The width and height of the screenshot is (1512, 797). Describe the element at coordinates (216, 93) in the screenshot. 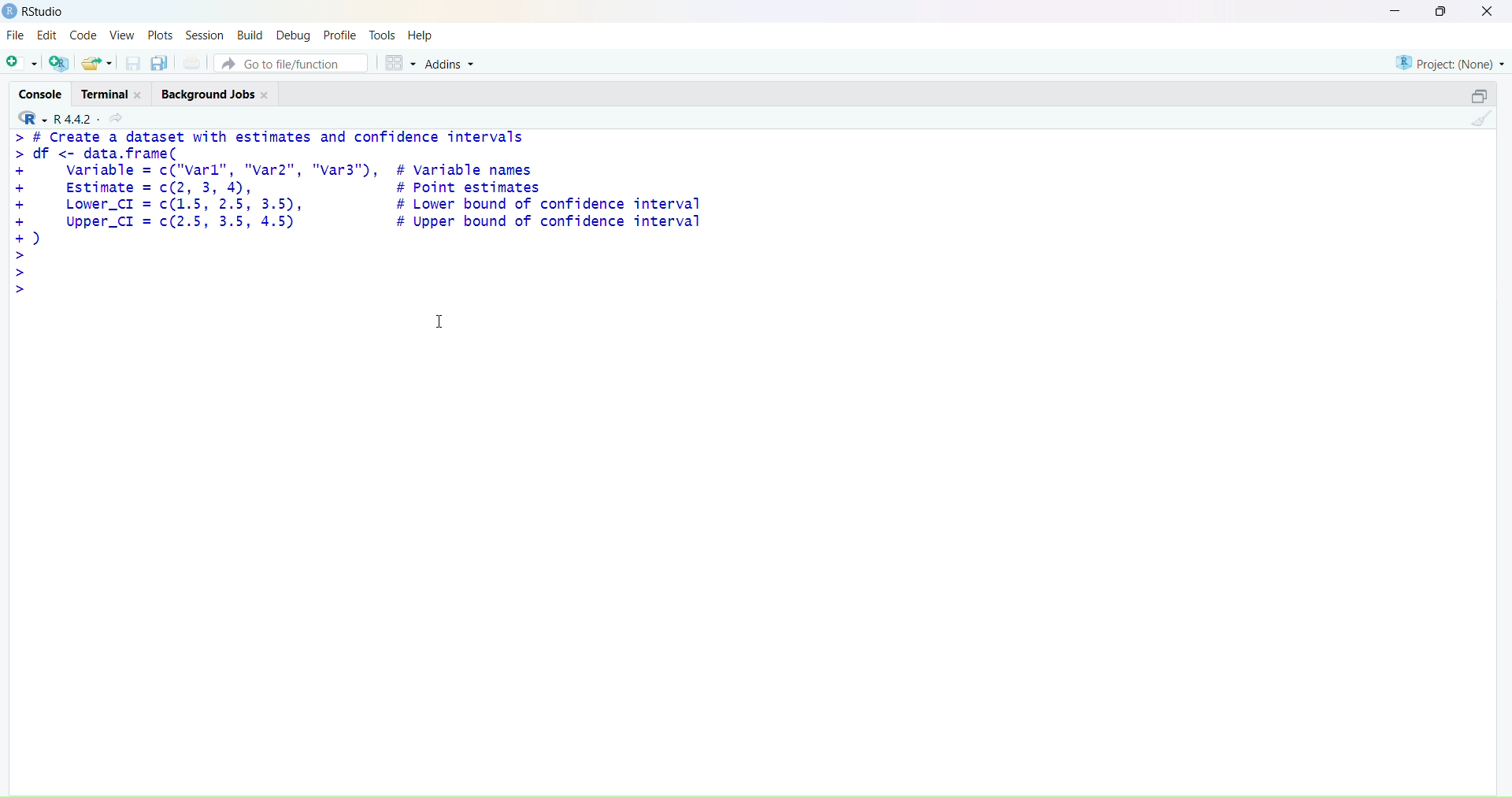

I see `Background Jobs` at that location.